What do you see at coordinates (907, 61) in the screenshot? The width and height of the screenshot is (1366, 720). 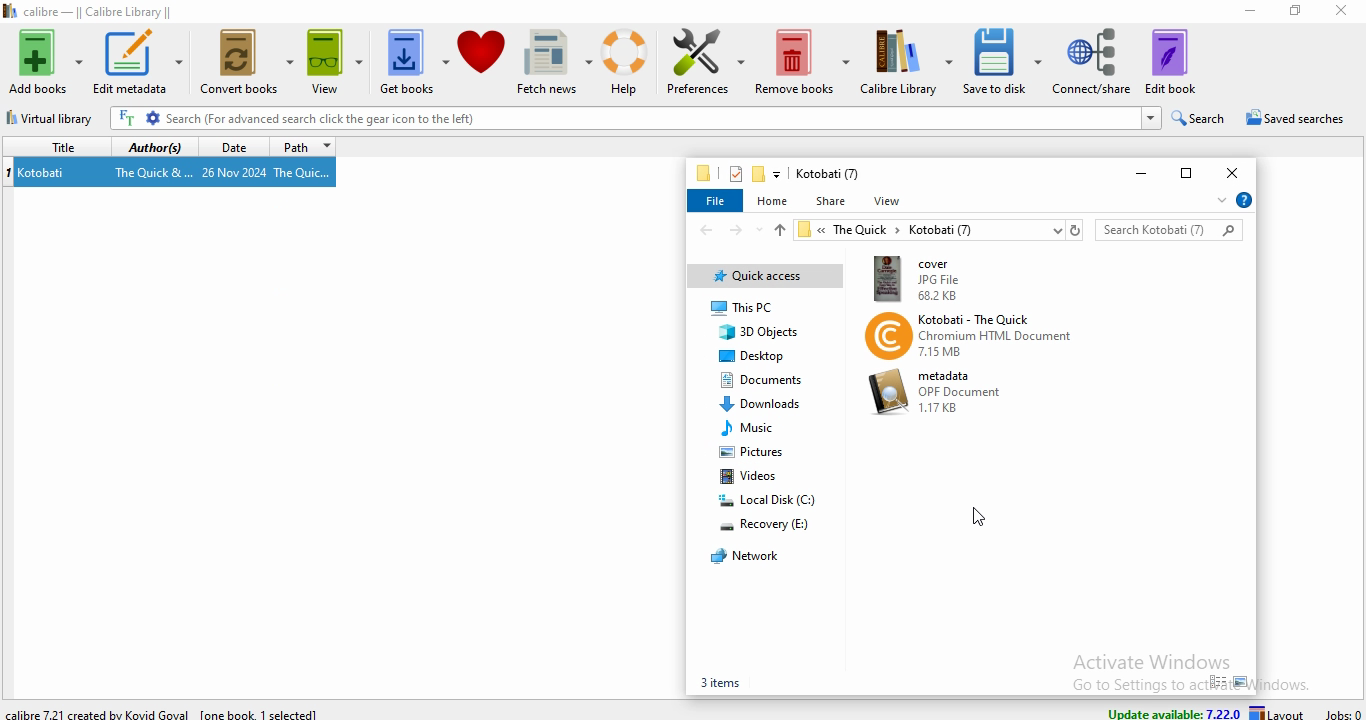 I see `calibre library` at bounding box center [907, 61].